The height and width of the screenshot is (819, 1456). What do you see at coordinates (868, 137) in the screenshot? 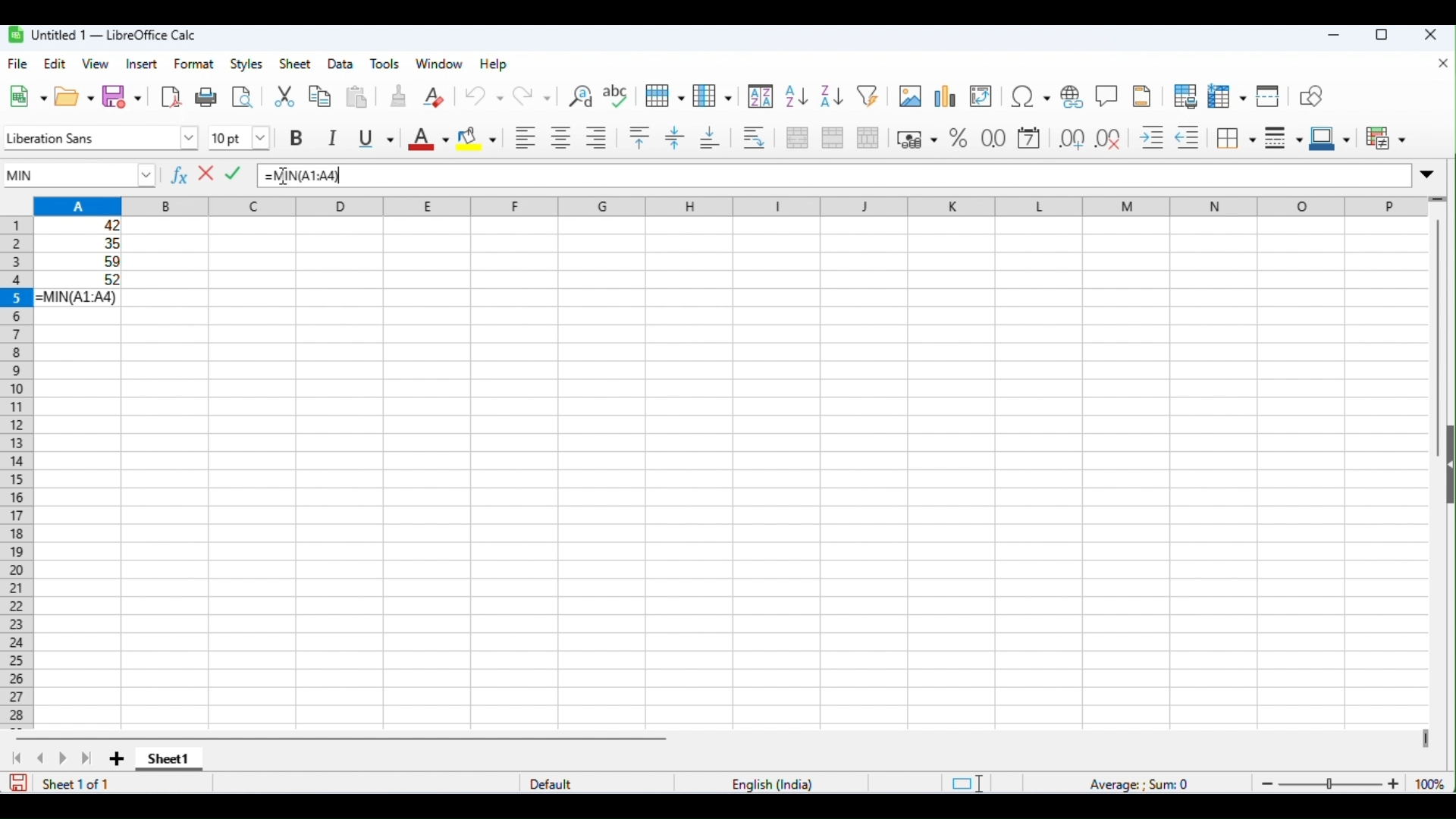
I see `unmerge cells` at bounding box center [868, 137].